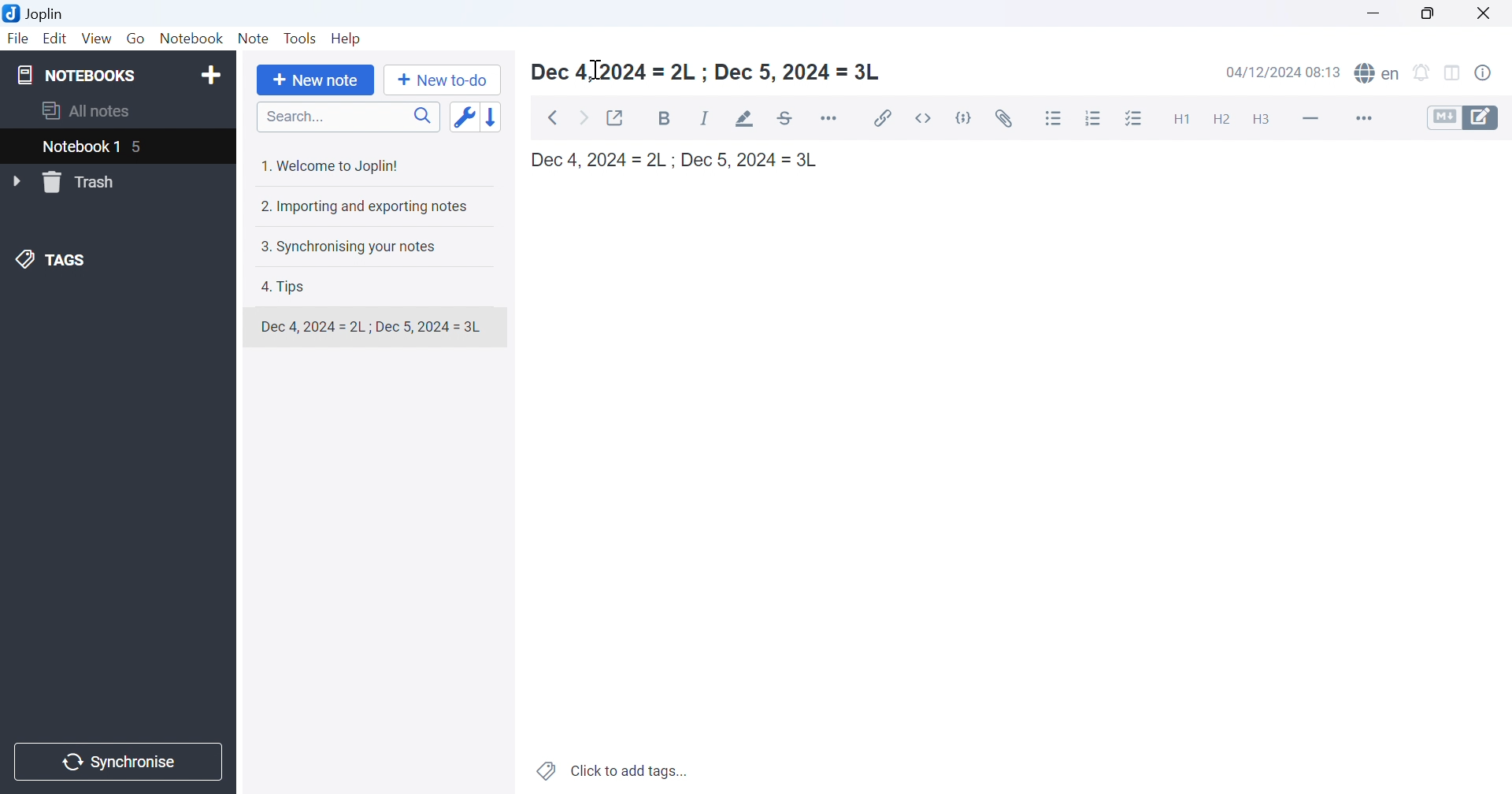  I want to click on Checkbox list, so click(1136, 119).